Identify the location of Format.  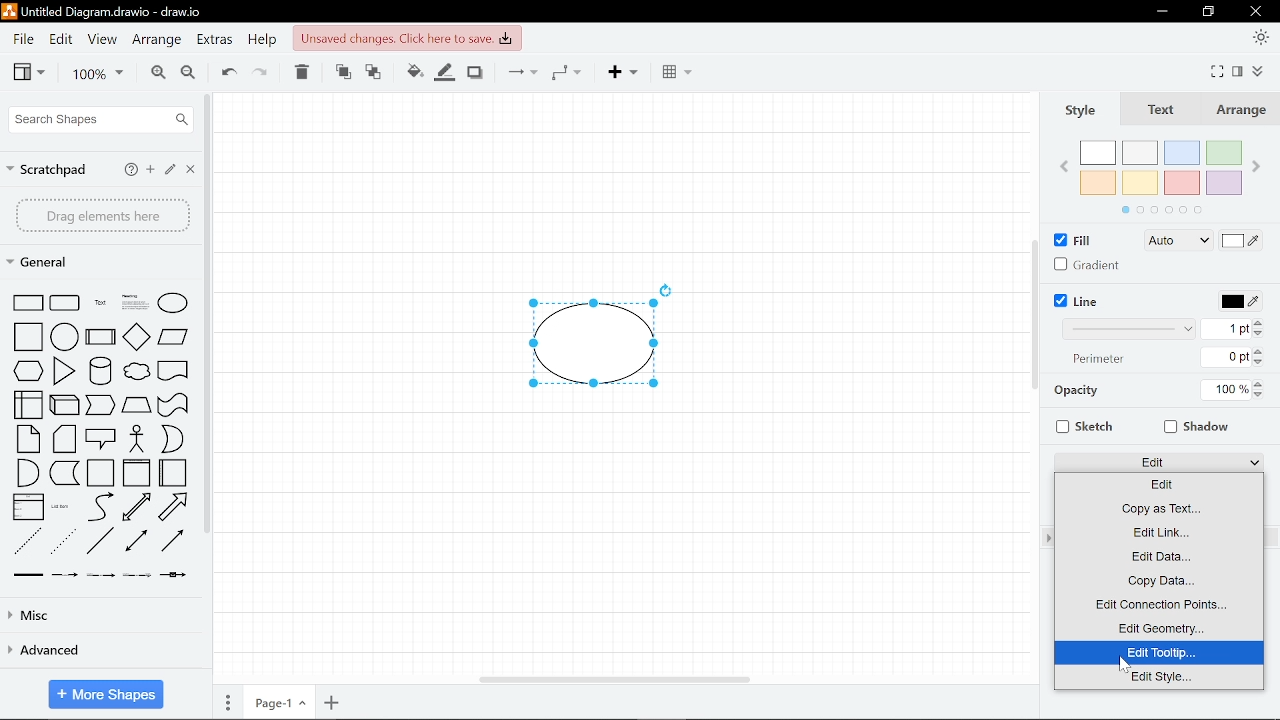
(1237, 72).